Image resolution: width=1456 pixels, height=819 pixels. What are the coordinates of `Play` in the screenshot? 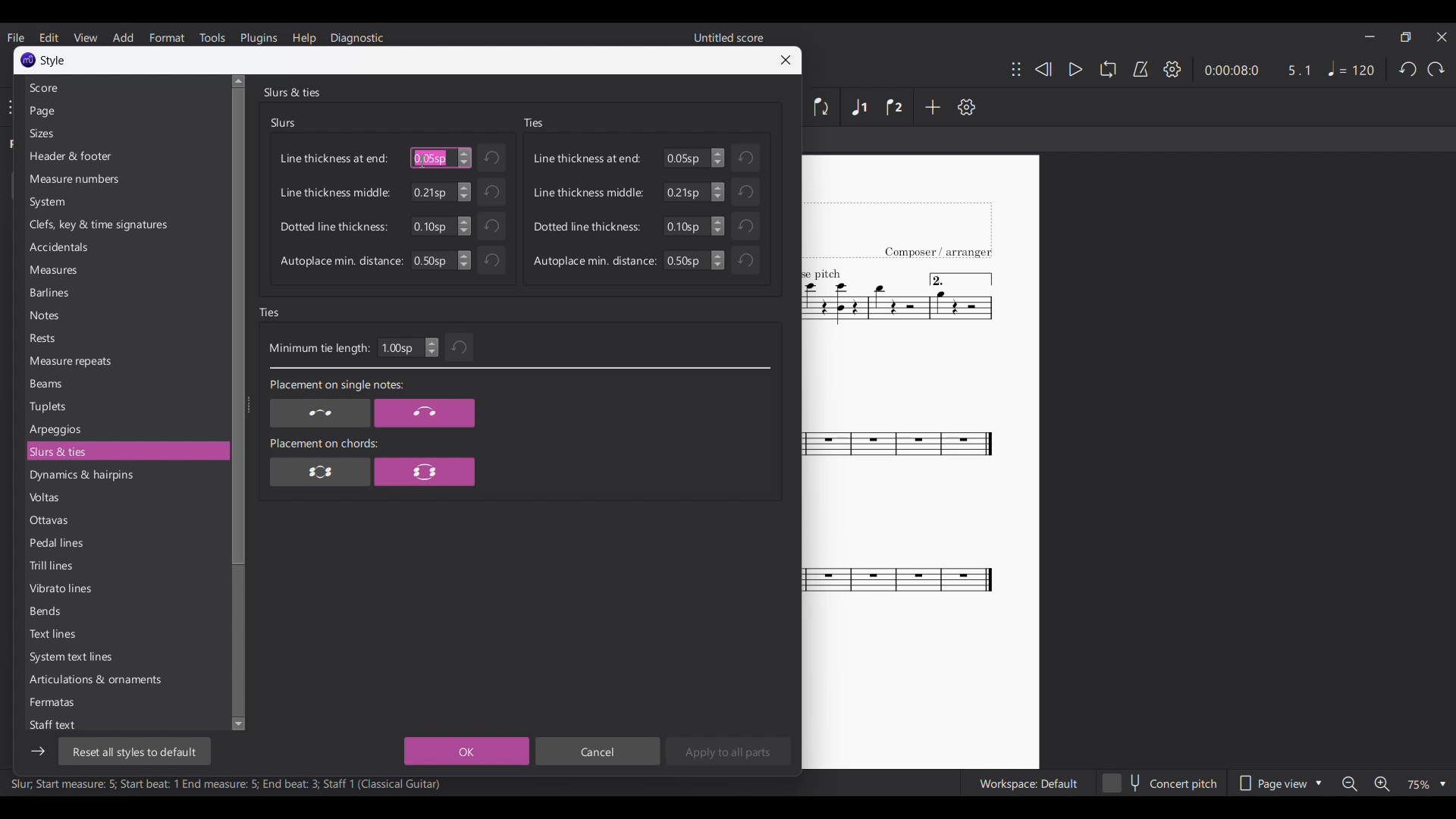 It's located at (1069, 69).